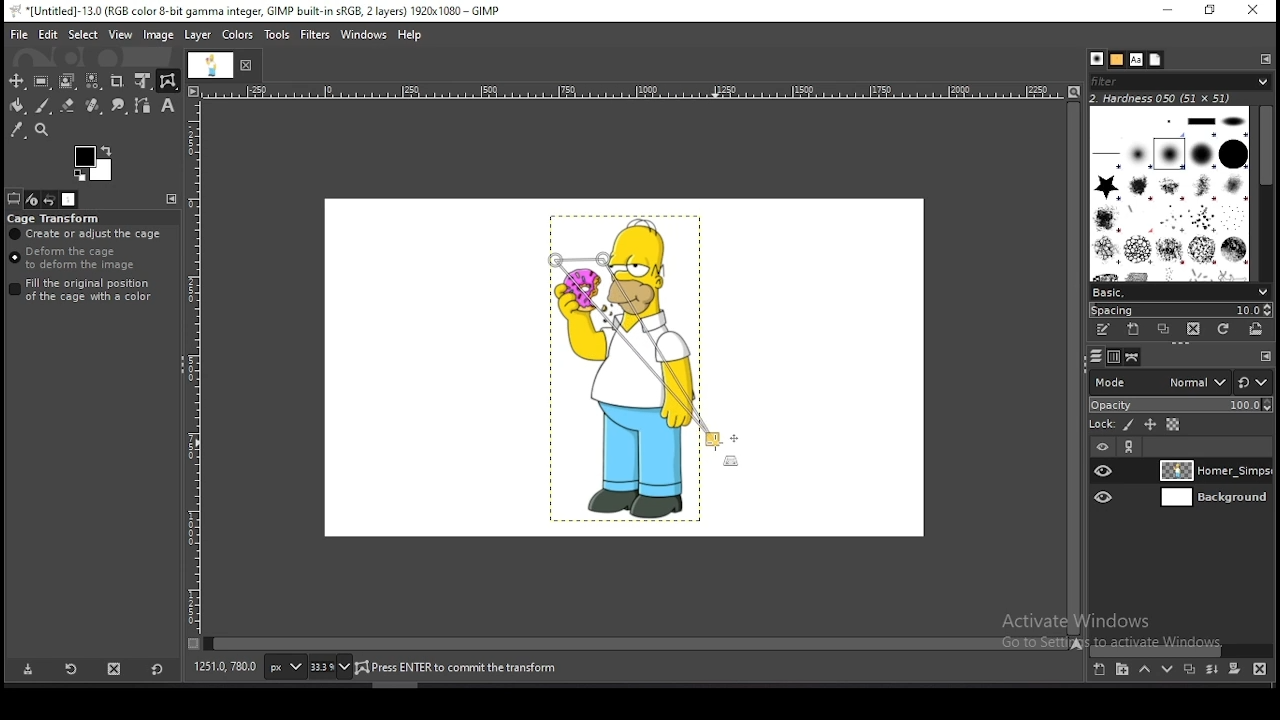 Image resolution: width=1280 pixels, height=720 pixels. What do you see at coordinates (50, 199) in the screenshot?
I see `undo history` at bounding box center [50, 199].